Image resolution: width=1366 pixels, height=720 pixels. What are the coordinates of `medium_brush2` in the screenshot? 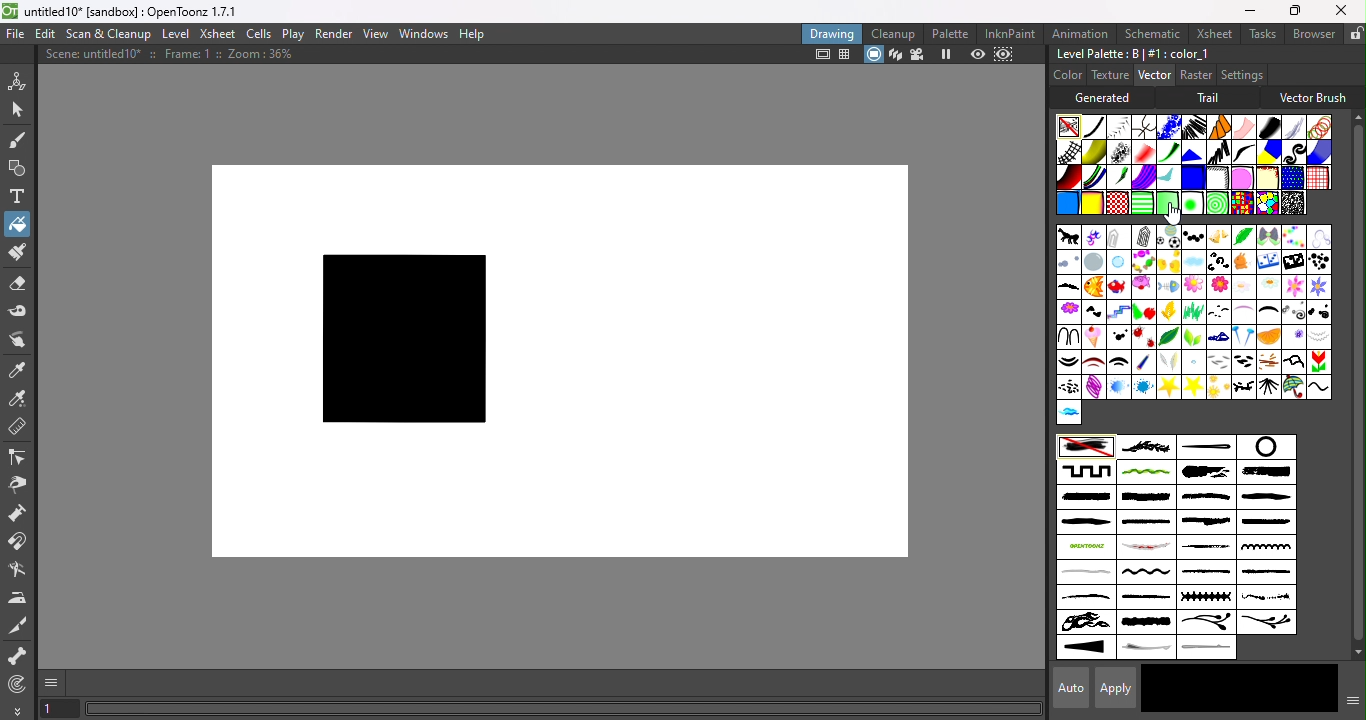 It's located at (1266, 497).